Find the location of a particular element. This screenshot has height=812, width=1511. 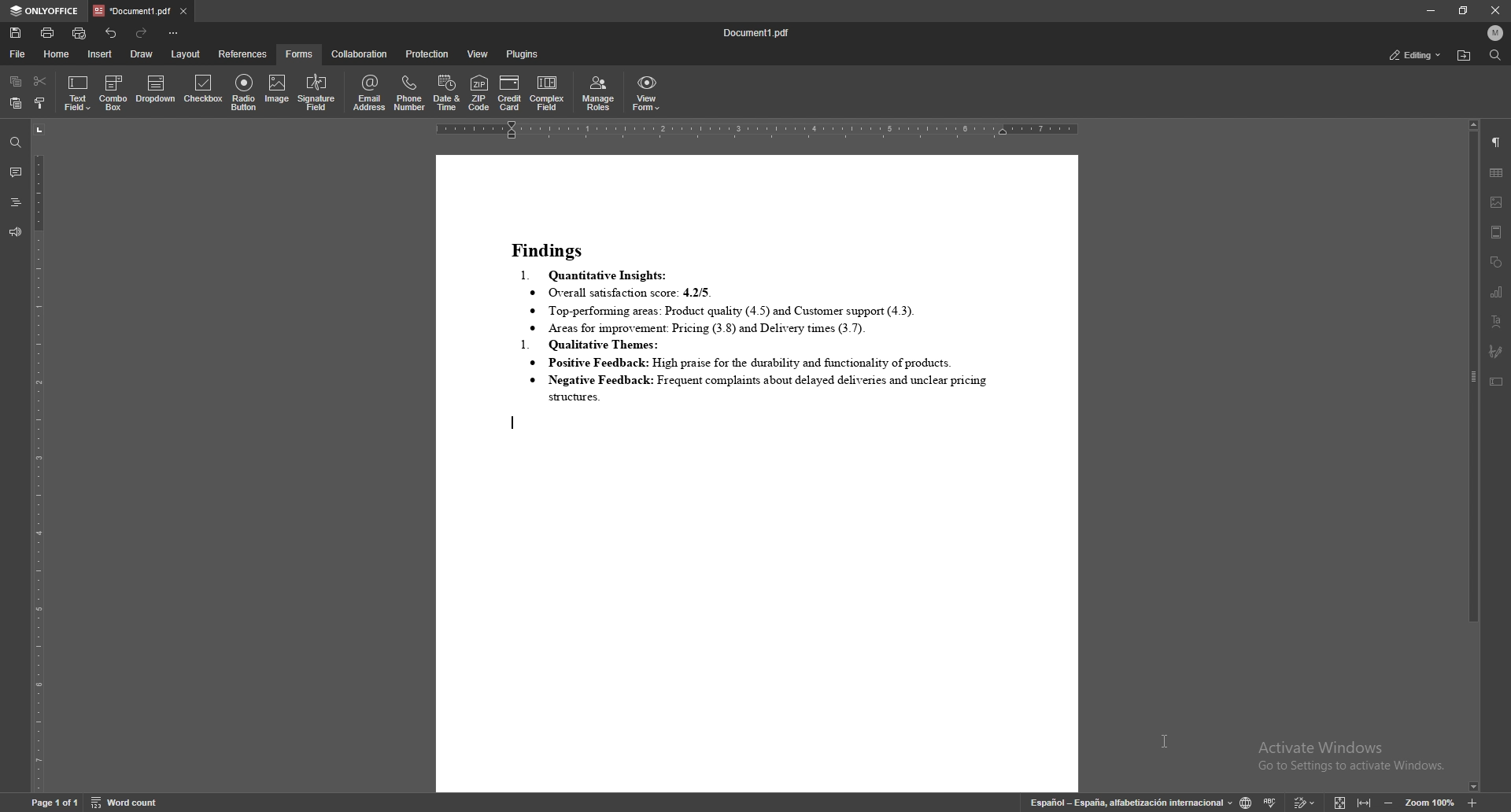

plugins is located at coordinates (523, 54).